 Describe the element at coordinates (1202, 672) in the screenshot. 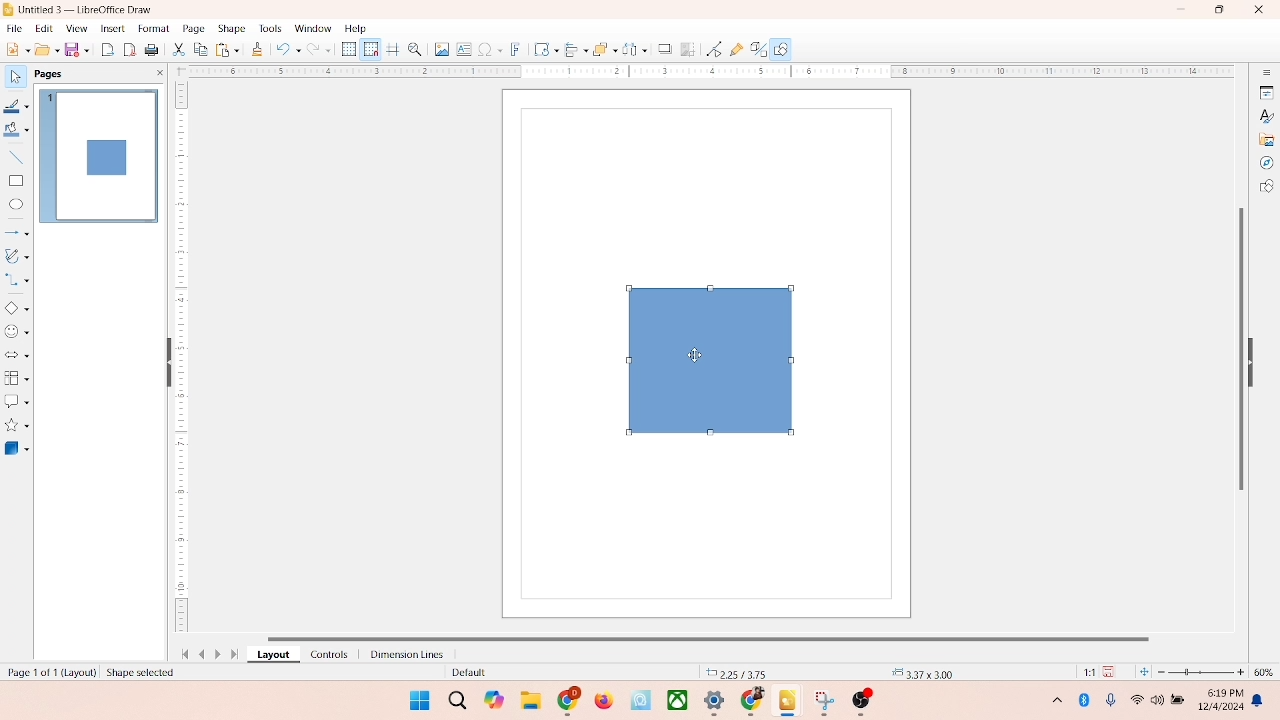

I see `zoom factor` at that location.